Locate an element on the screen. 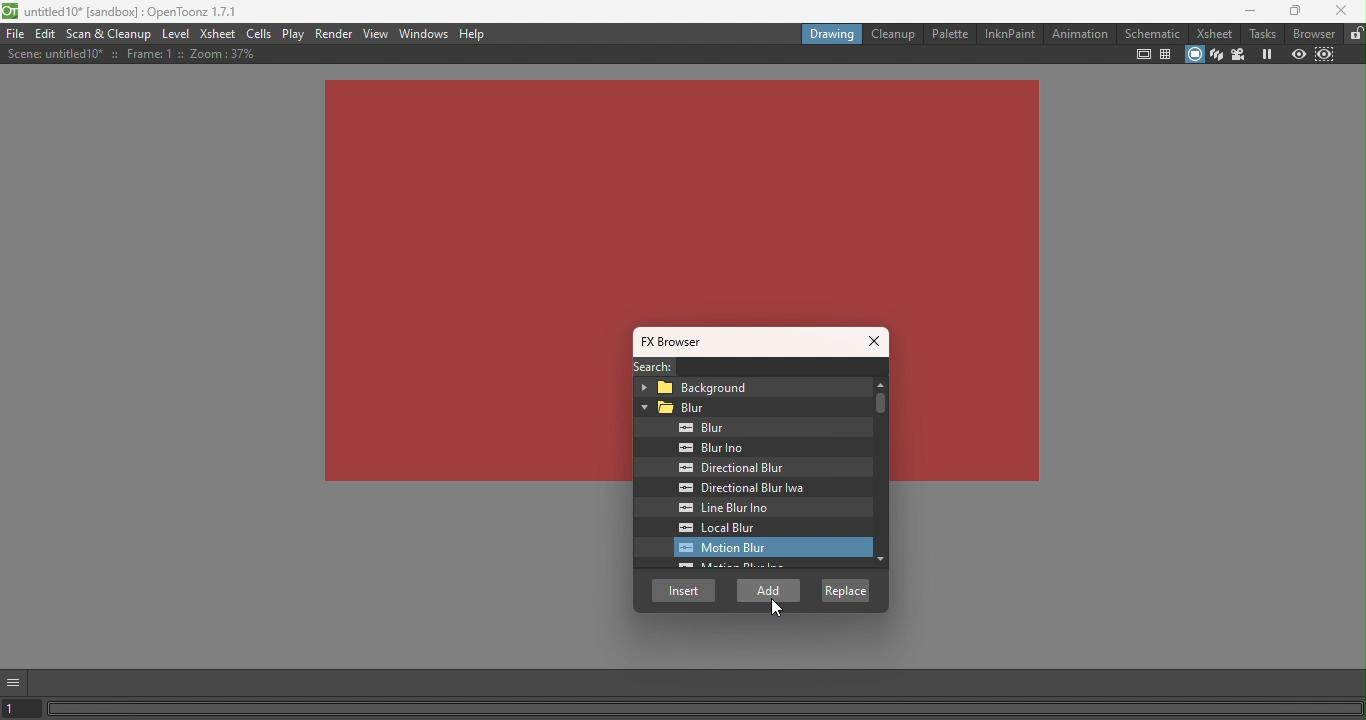 The width and height of the screenshot is (1366, 720). Line blur Ino is located at coordinates (730, 508).